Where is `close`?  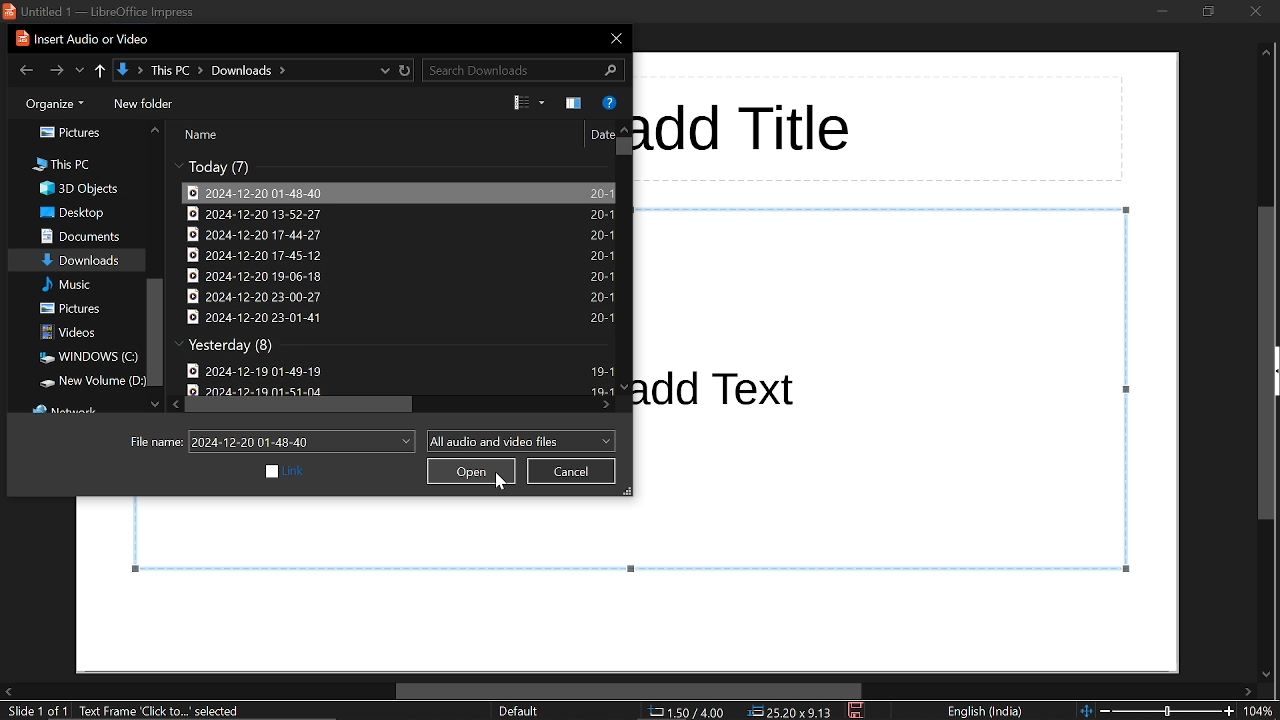
close is located at coordinates (1251, 14).